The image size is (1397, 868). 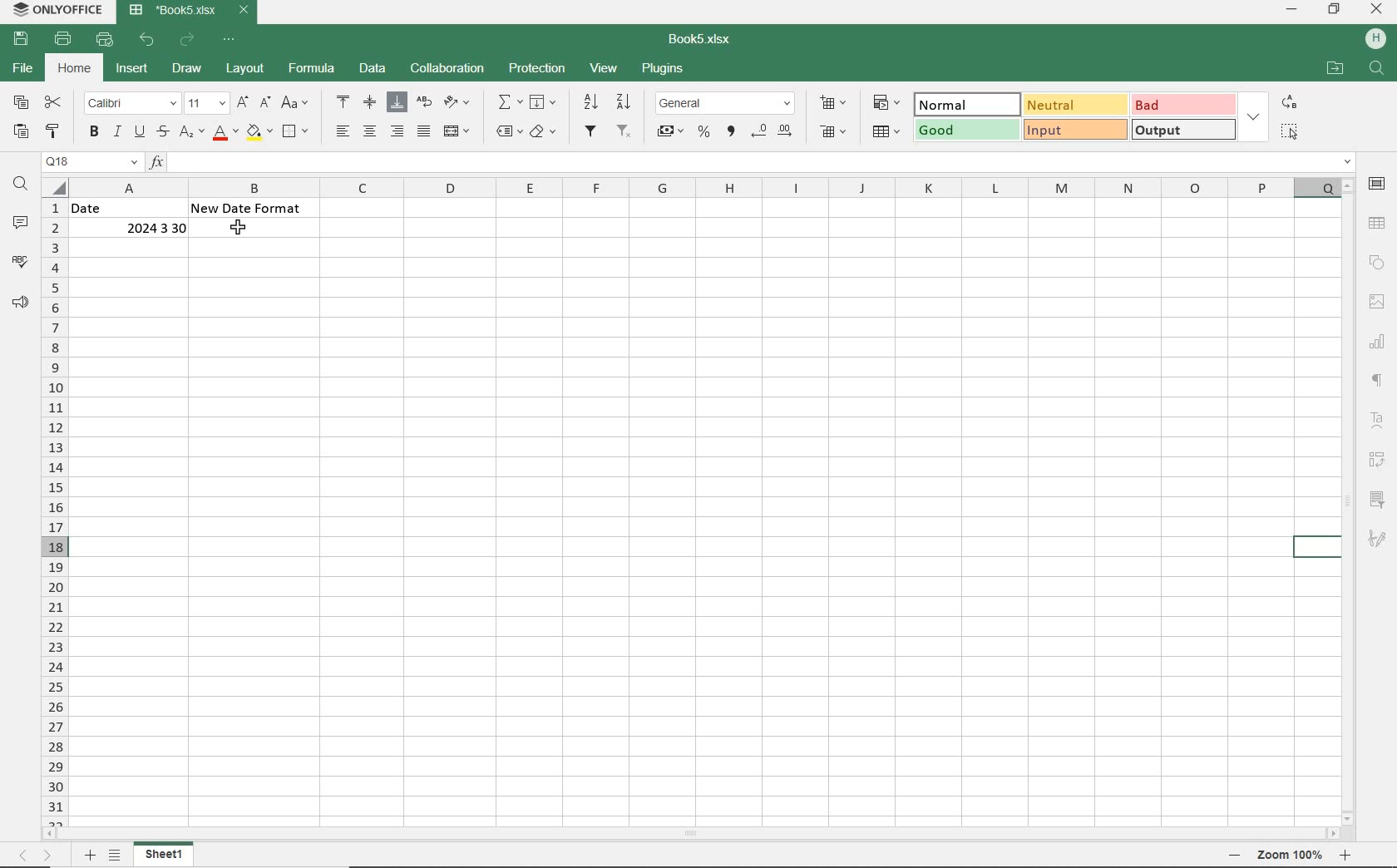 I want to click on COPY, so click(x=22, y=103).